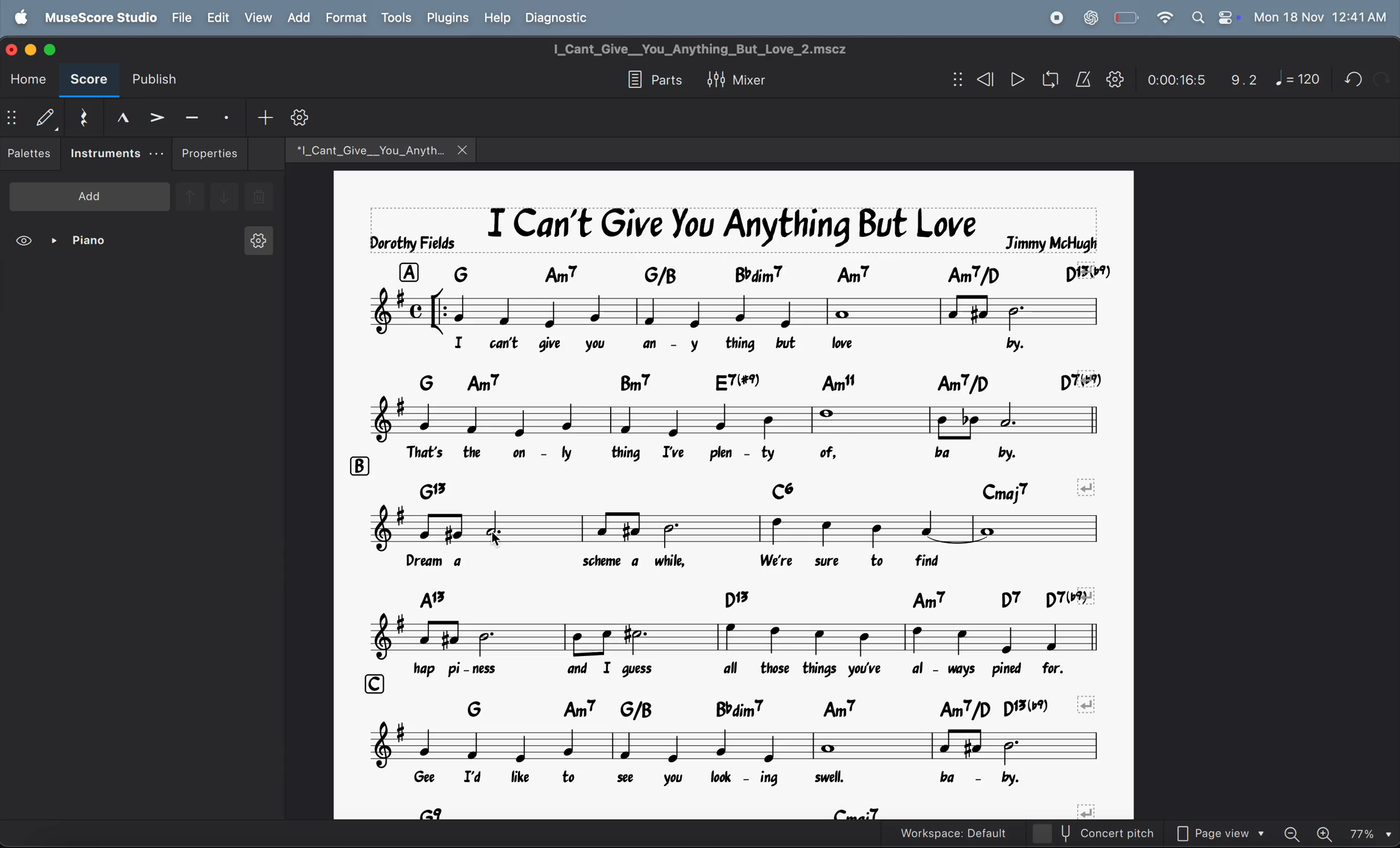 Image resolution: width=1400 pixels, height=848 pixels. Describe the element at coordinates (948, 833) in the screenshot. I see `workspace default` at that location.